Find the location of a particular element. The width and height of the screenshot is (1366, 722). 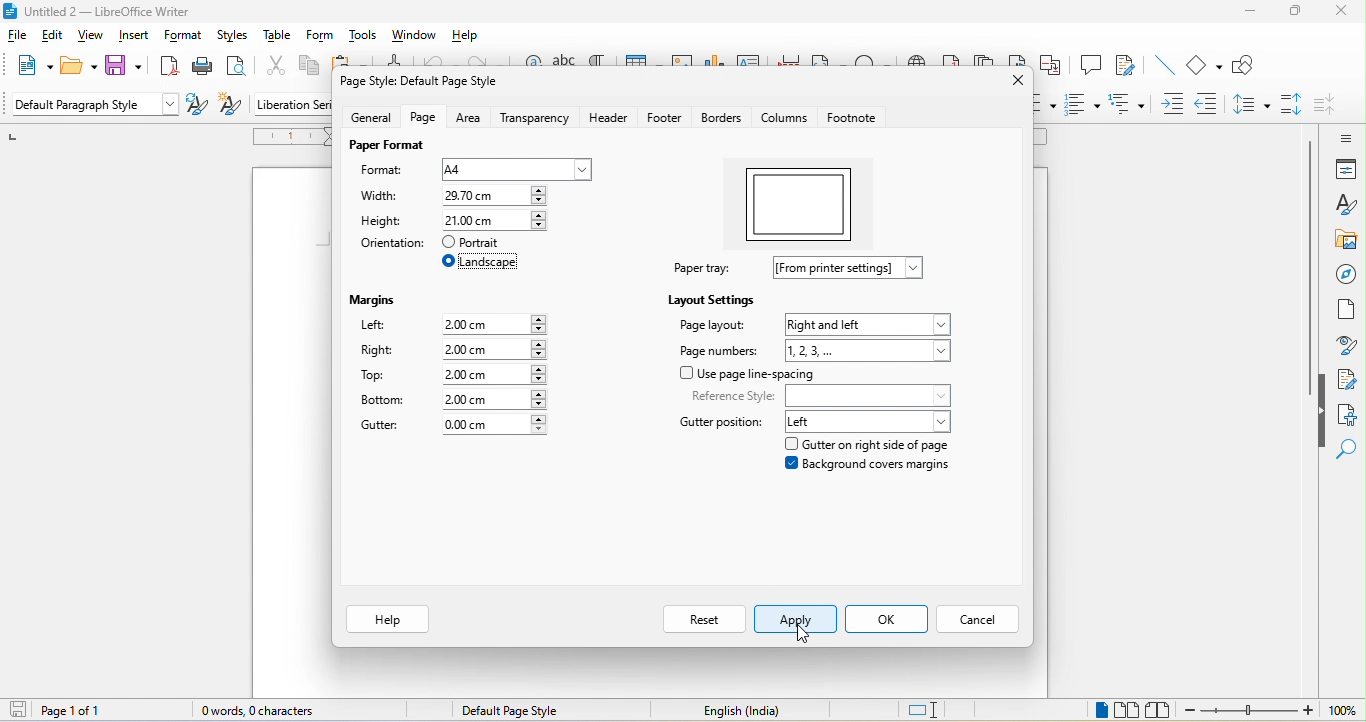

cross reference is located at coordinates (1051, 68).